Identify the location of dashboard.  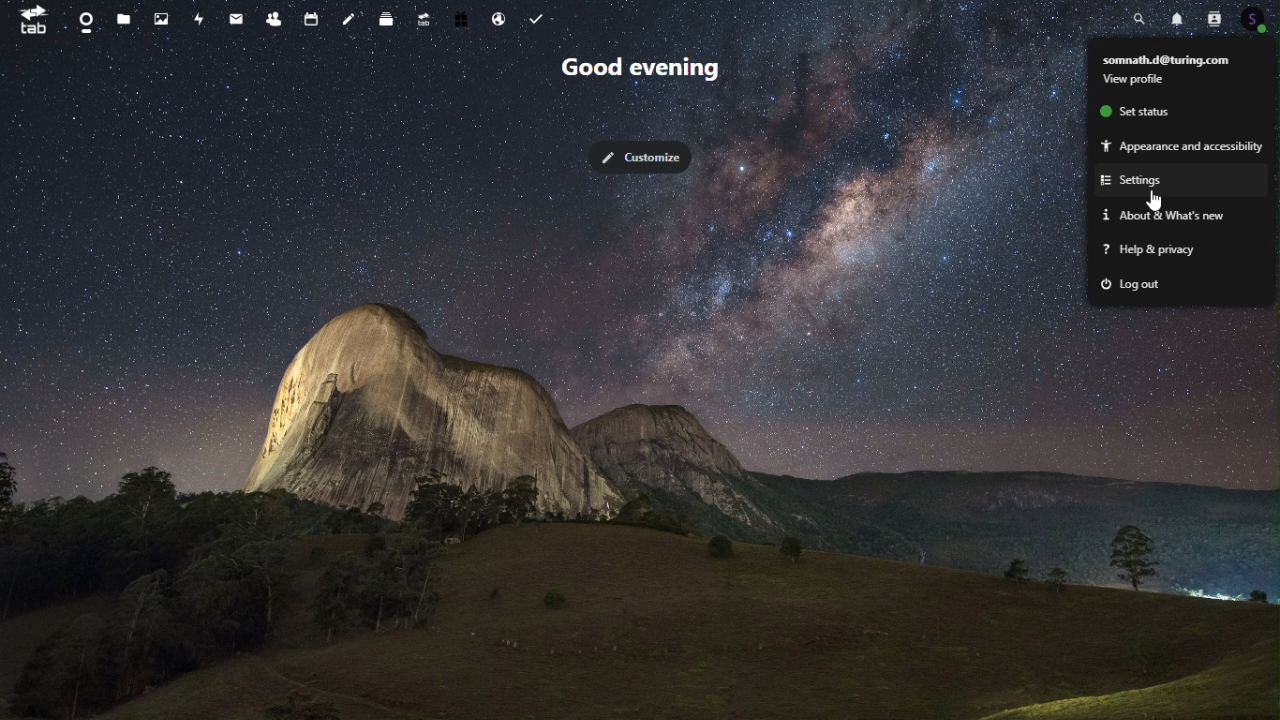
(85, 22).